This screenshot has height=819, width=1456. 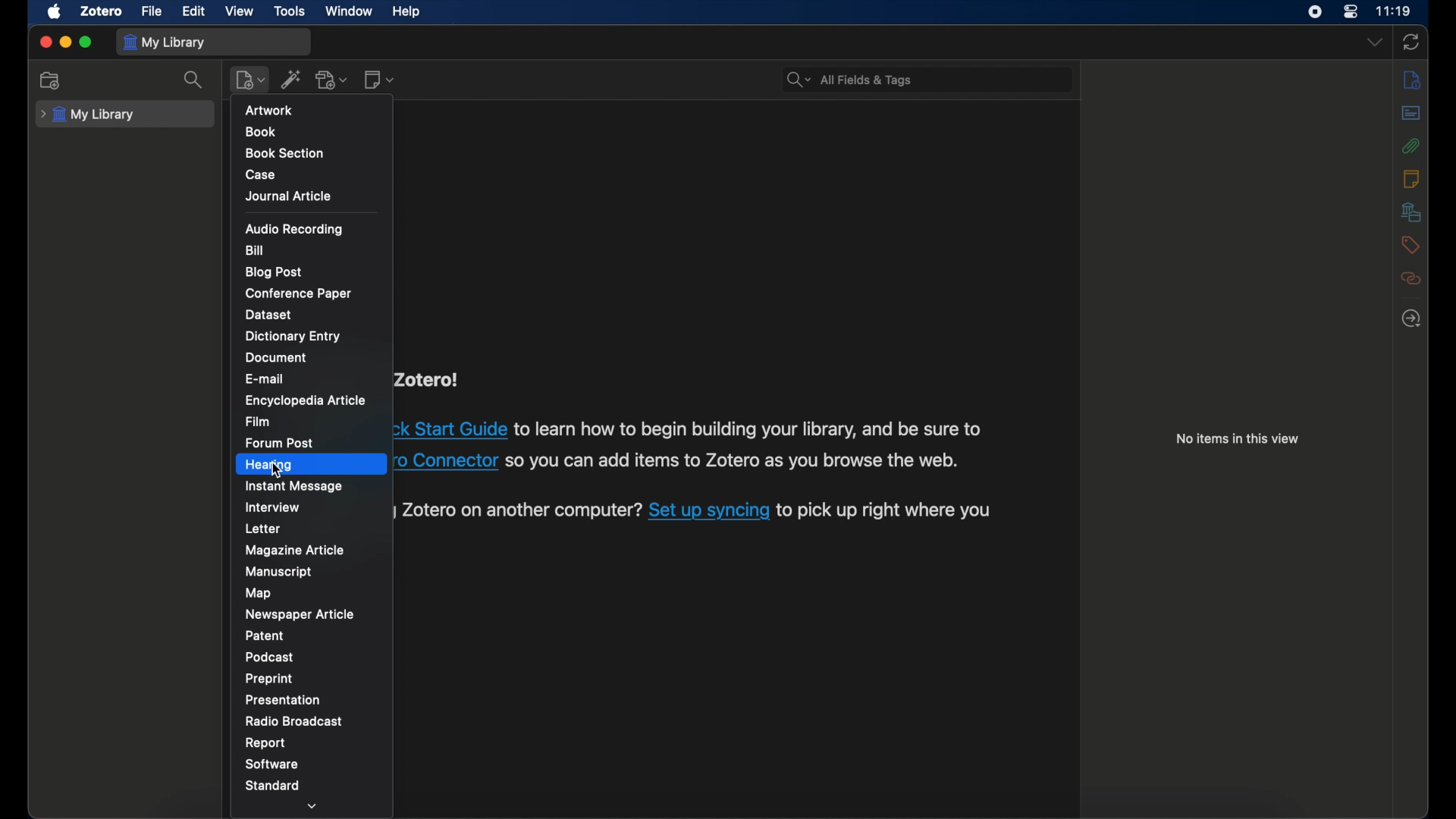 I want to click on map, so click(x=259, y=593).